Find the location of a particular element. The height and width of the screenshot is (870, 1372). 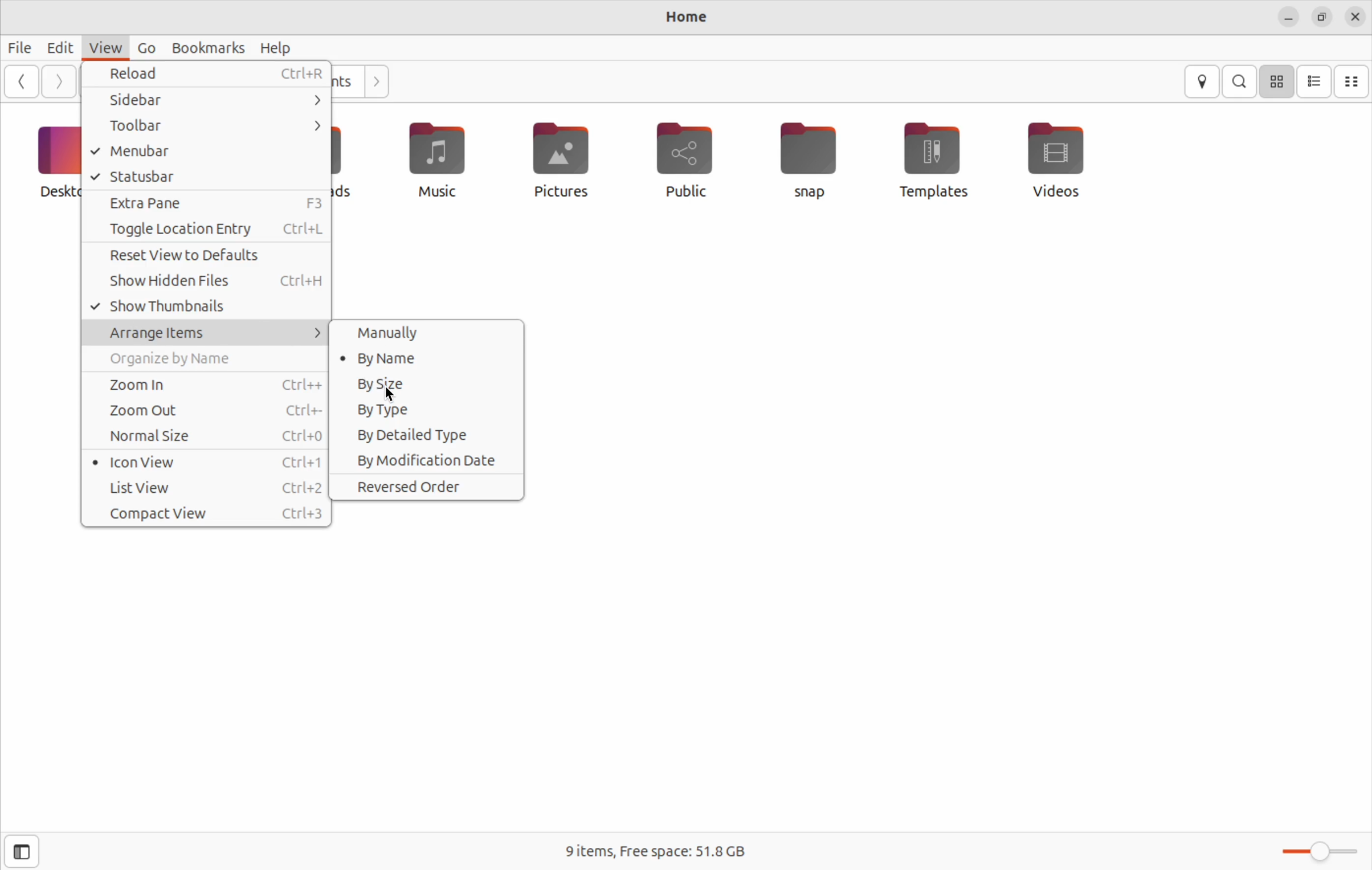

show hidden files is located at coordinates (210, 279).